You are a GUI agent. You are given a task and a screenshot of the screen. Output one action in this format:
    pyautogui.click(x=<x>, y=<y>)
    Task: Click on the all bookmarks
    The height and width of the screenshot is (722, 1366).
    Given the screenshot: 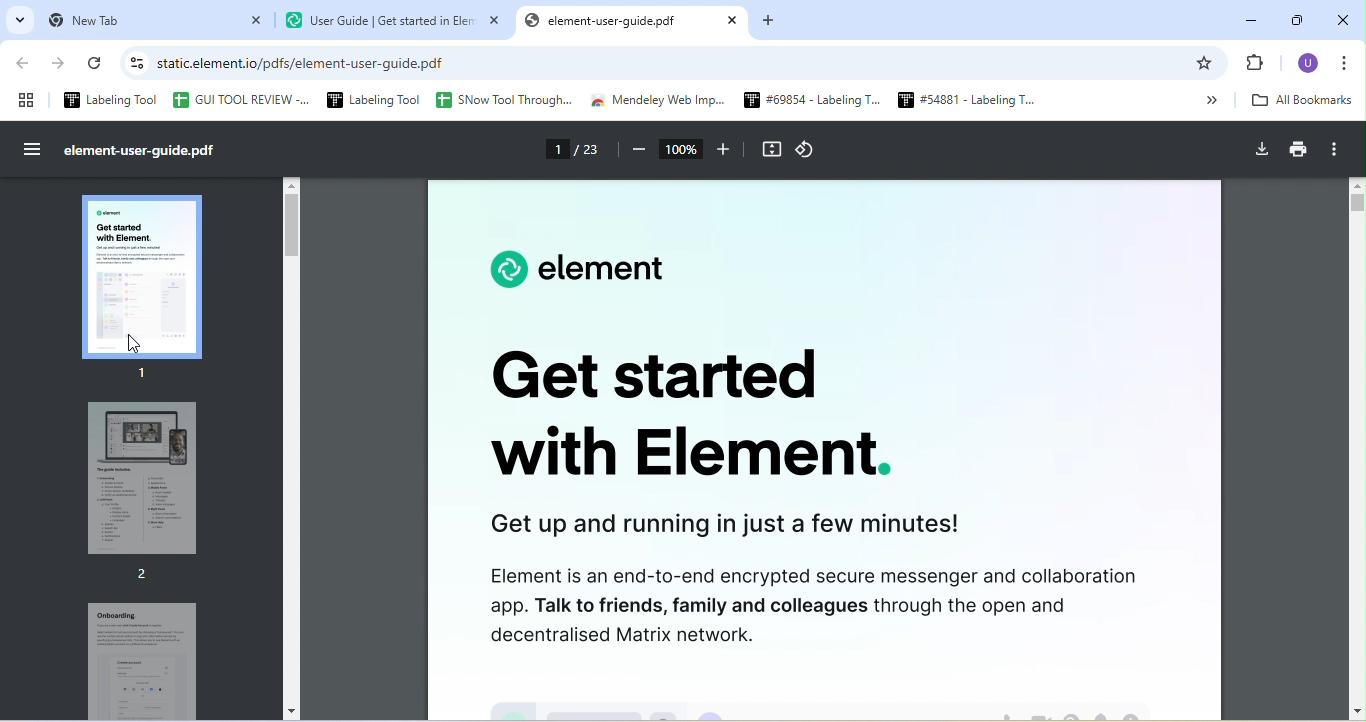 What is the action you would take?
    pyautogui.click(x=1308, y=102)
    